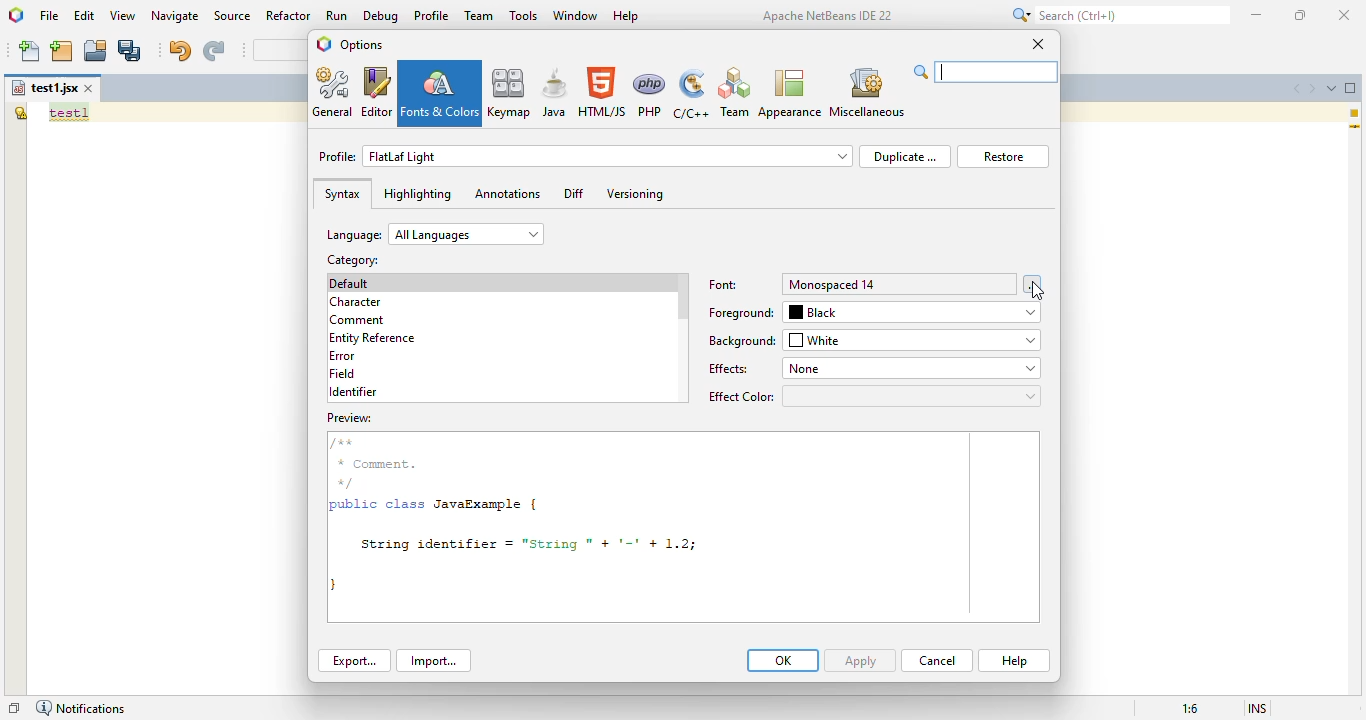  Describe the element at coordinates (1014, 661) in the screenshot. I see `help` at that location.